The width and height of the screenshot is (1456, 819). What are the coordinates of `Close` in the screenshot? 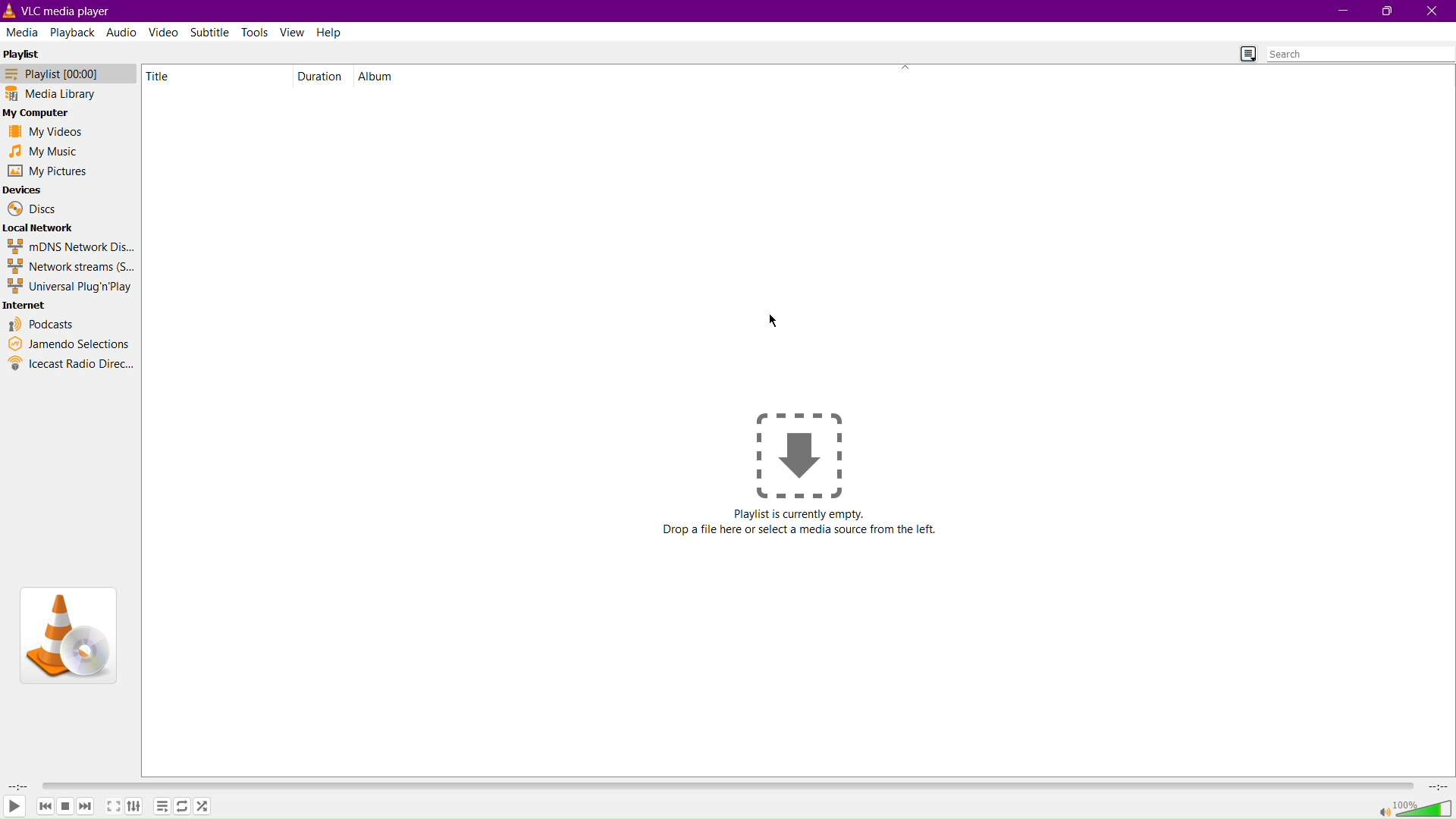 It's located at (1432, 11).